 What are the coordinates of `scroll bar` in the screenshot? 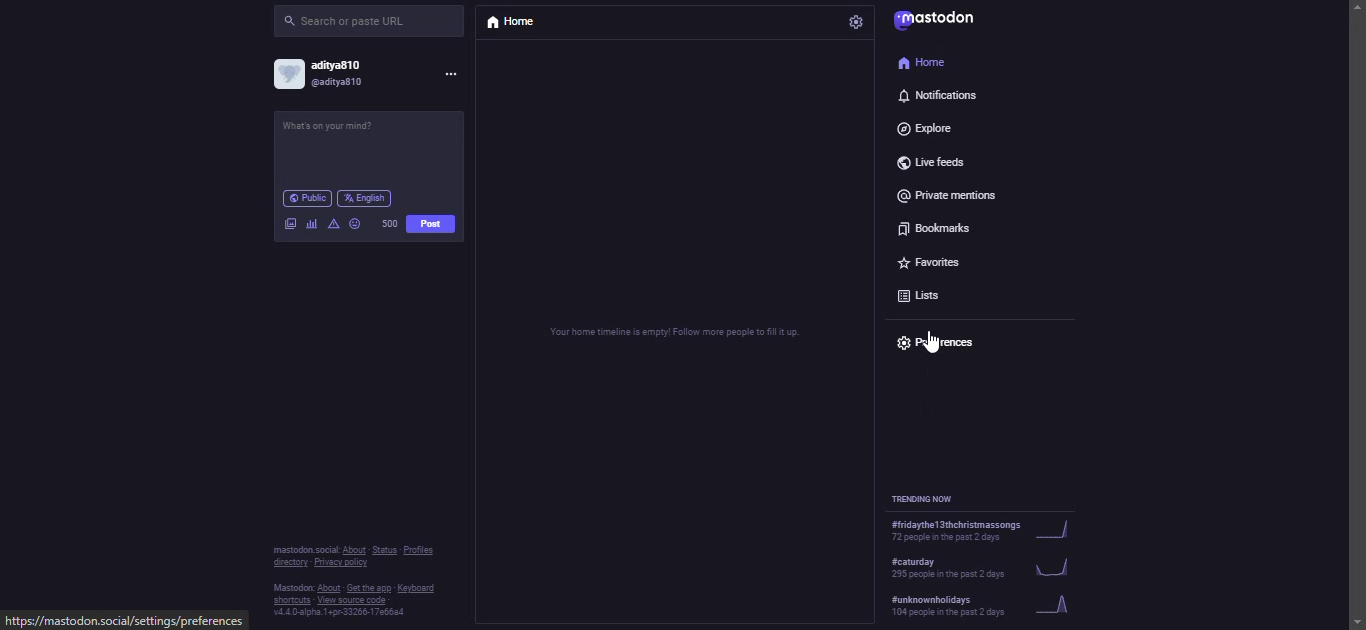 It's located at (1358, 297).